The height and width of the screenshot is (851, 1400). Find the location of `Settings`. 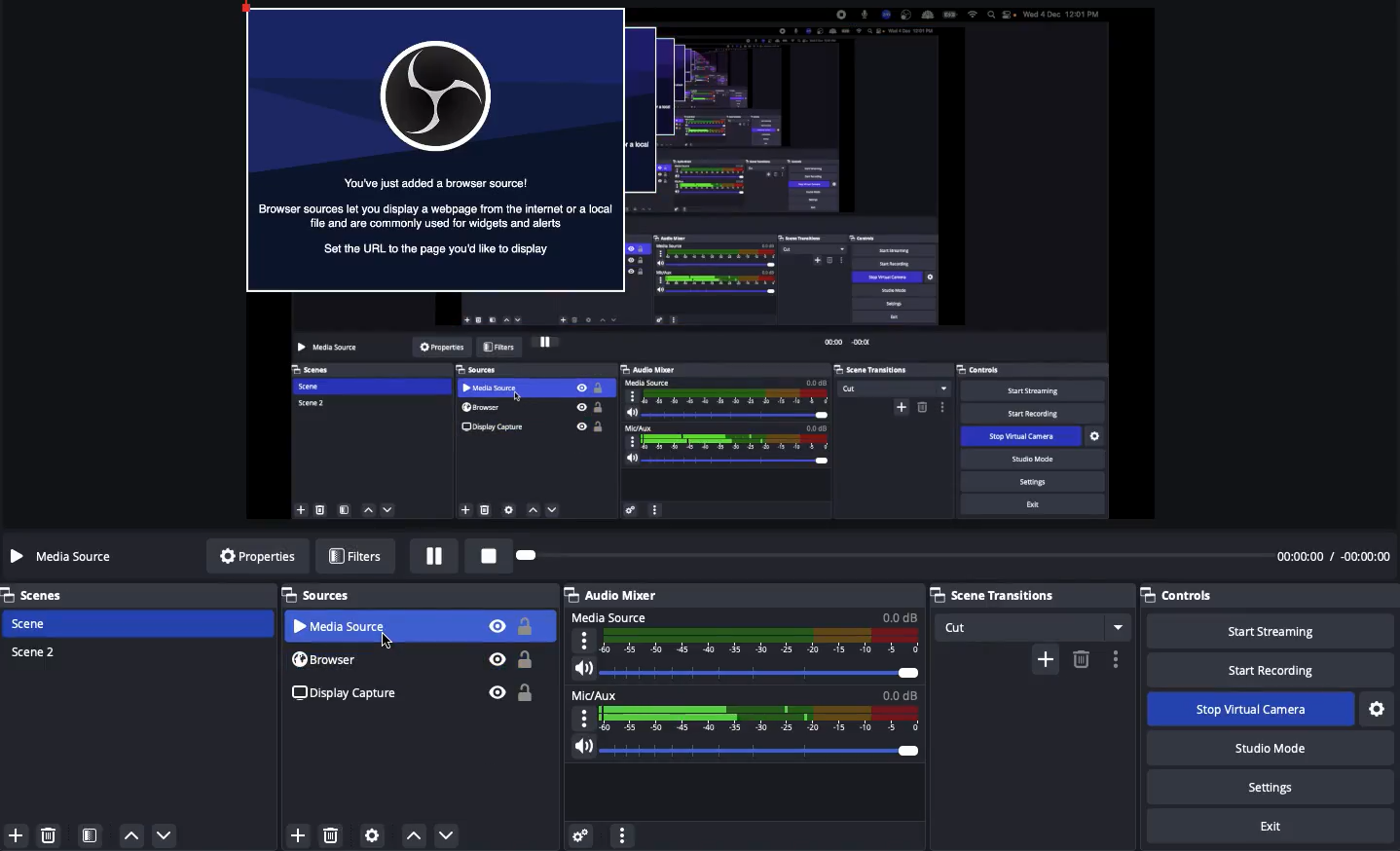

Settings is located at coordinates (1380, 706).